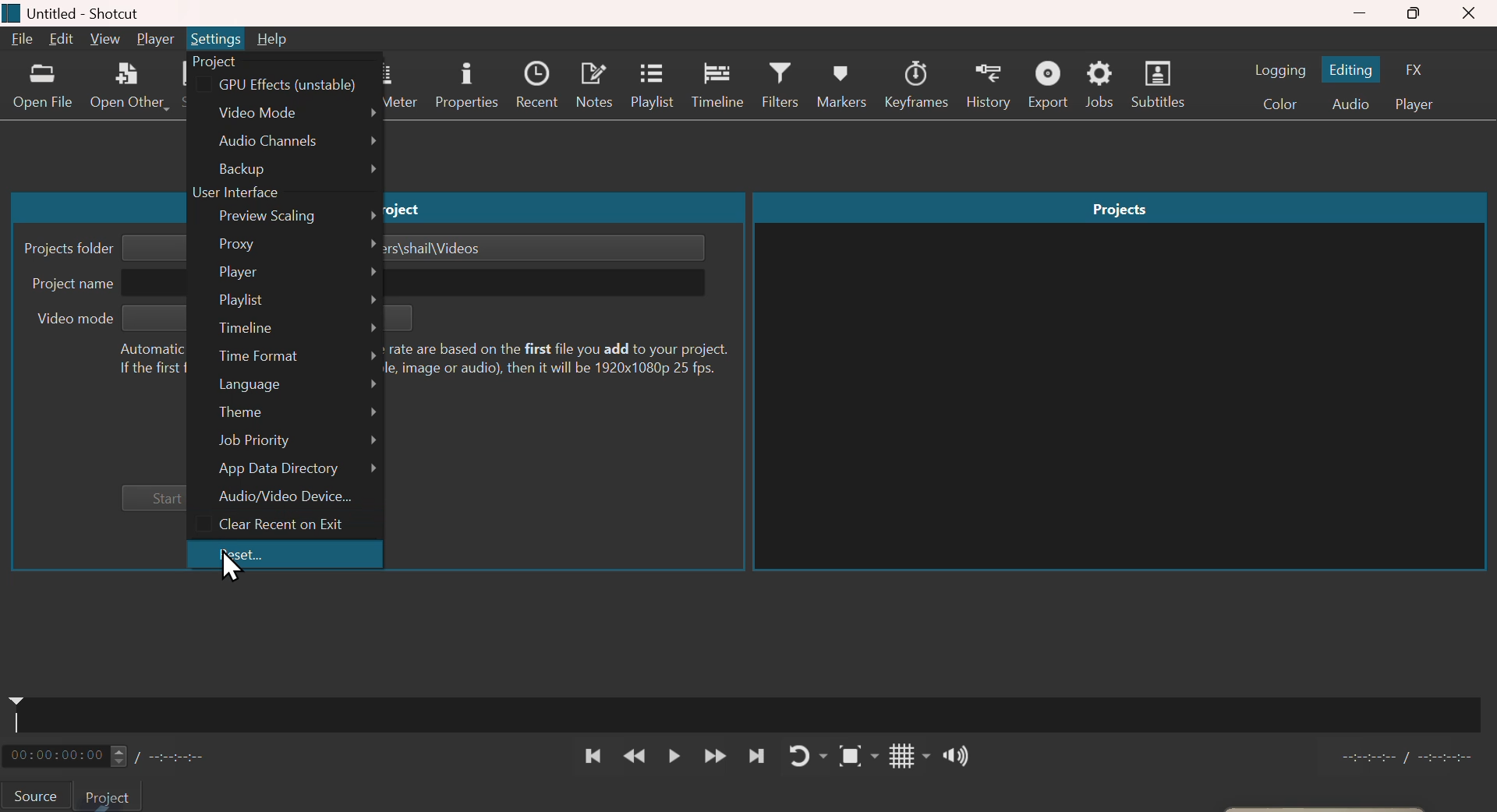 The image size is (1497, 812). What do you see at coordinates (38, 795) in the screenshot?
I see `Source` at bounding box center [38, 795].